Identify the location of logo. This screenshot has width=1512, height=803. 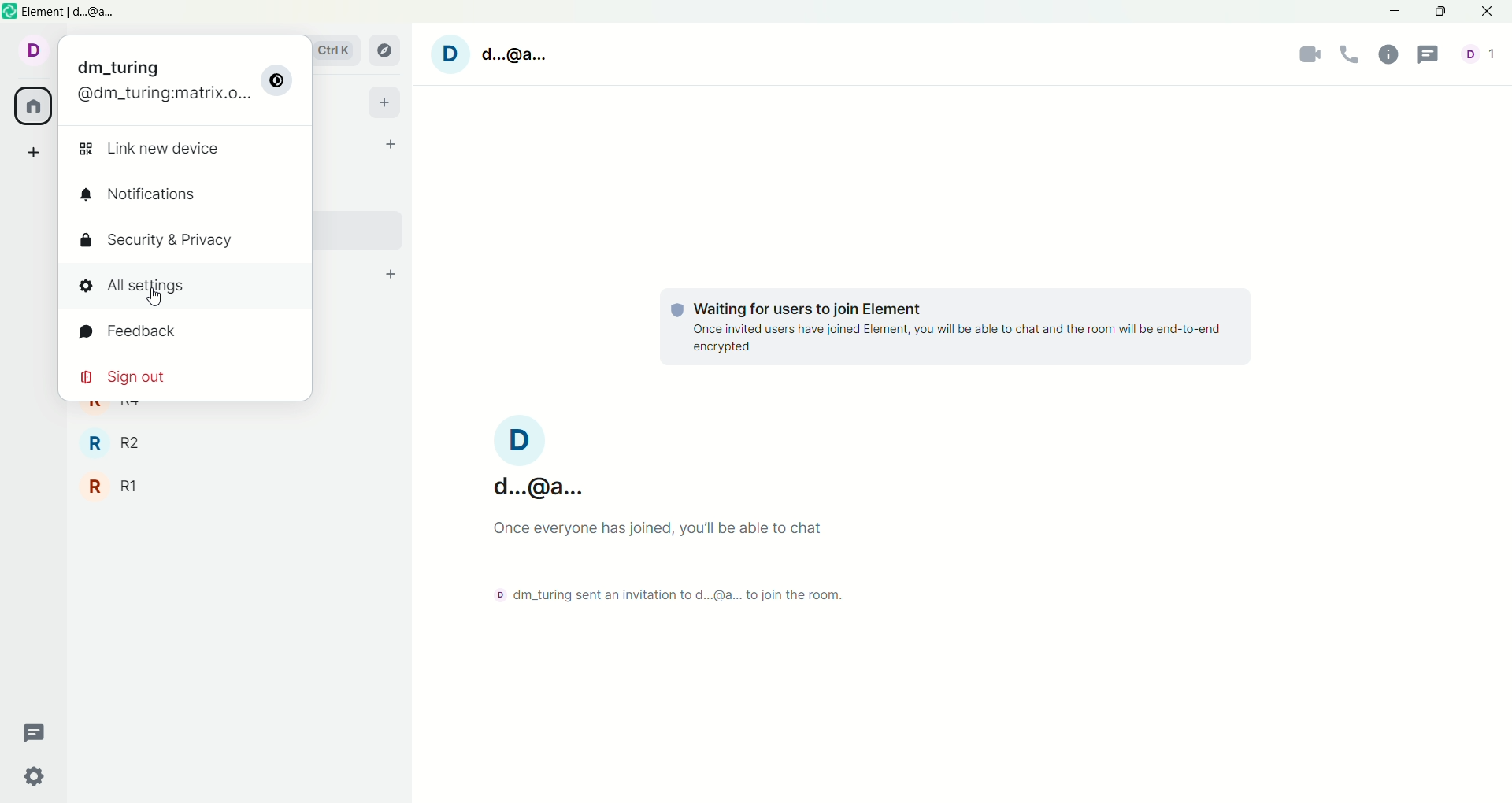
(10, 13).